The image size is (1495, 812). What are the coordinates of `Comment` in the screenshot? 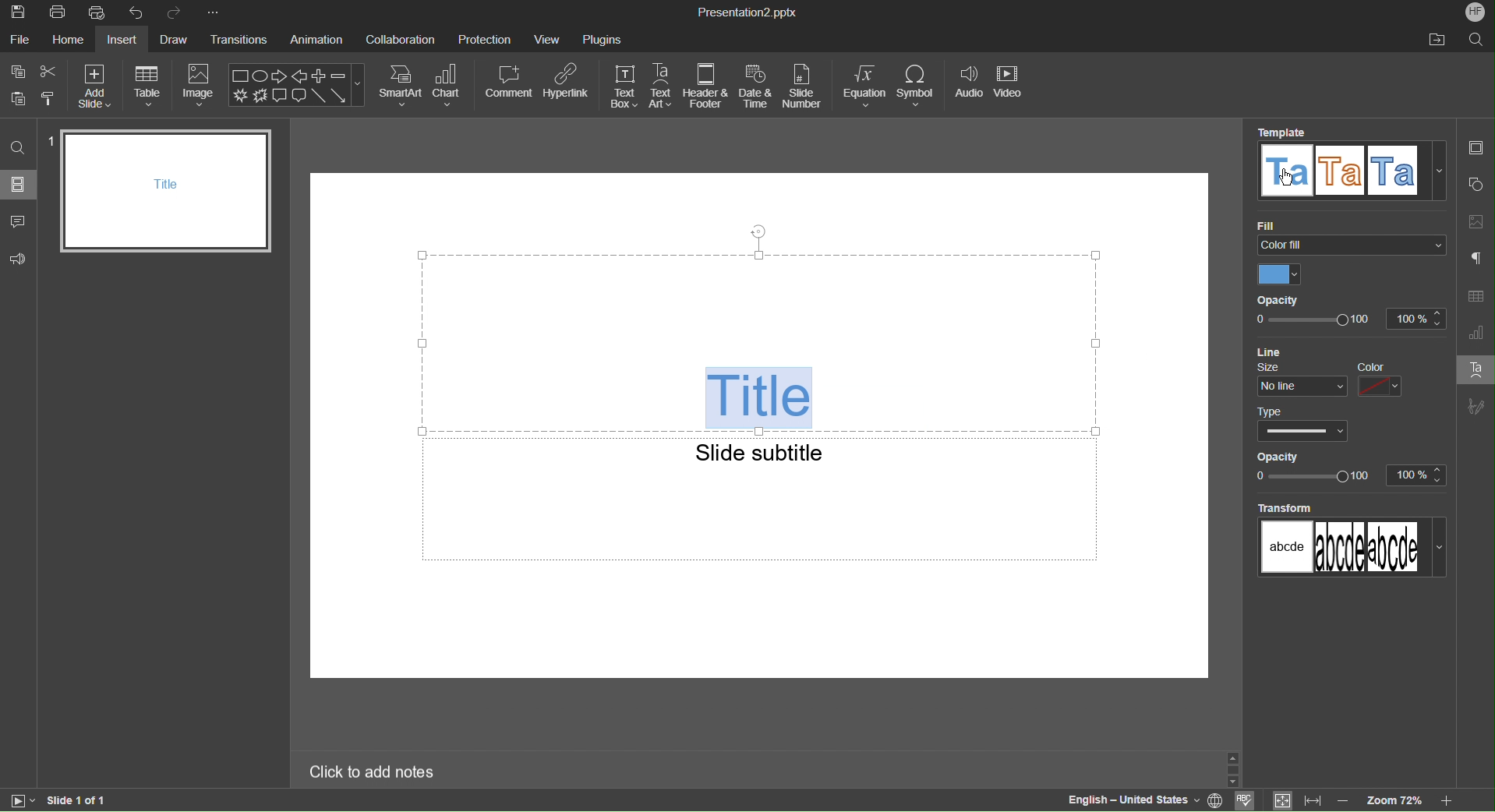 It's located at (510, 86).